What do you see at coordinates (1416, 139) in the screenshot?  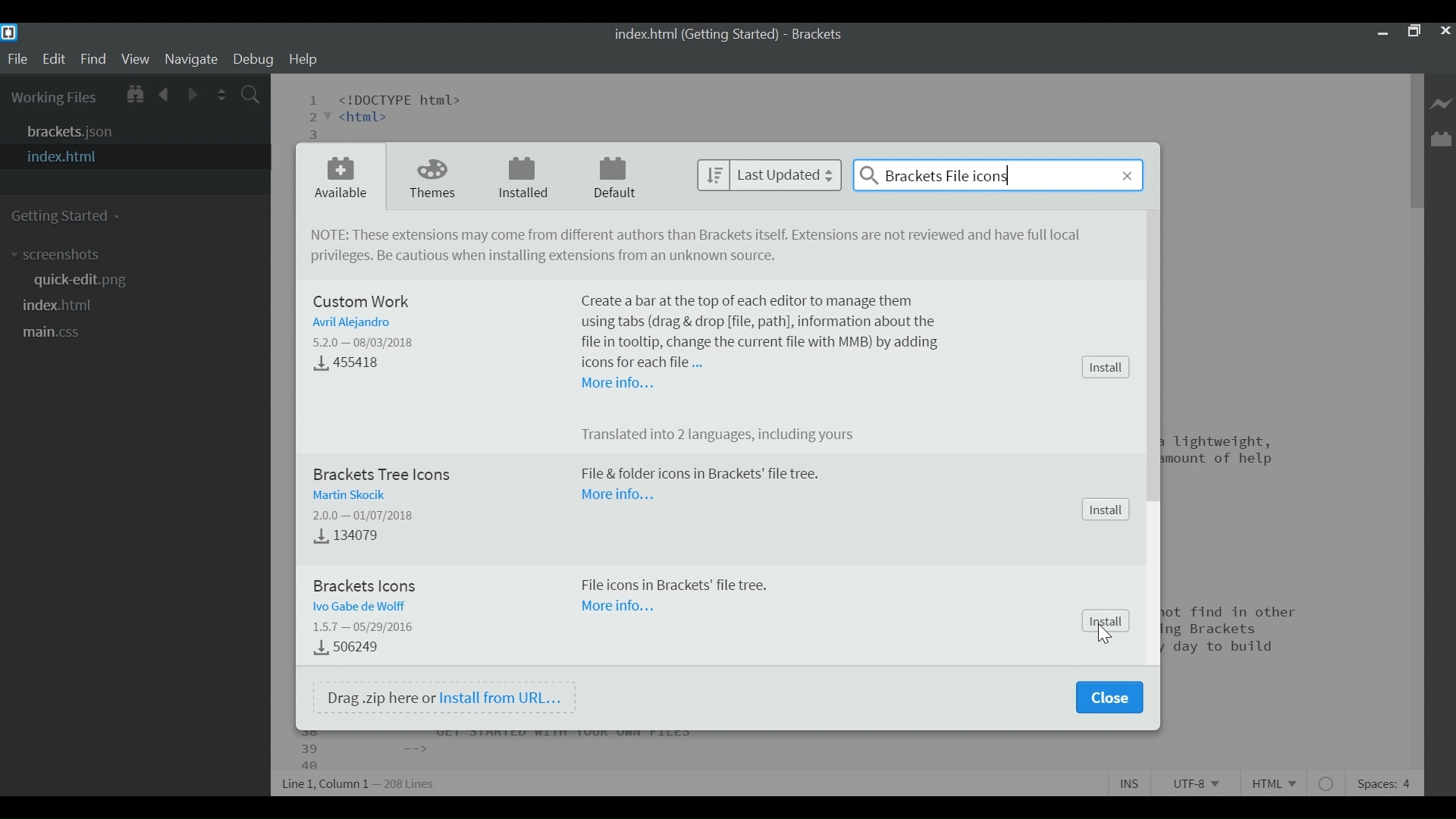 I see `Vertical Scroll bar` at bounding box center [1416, 139].